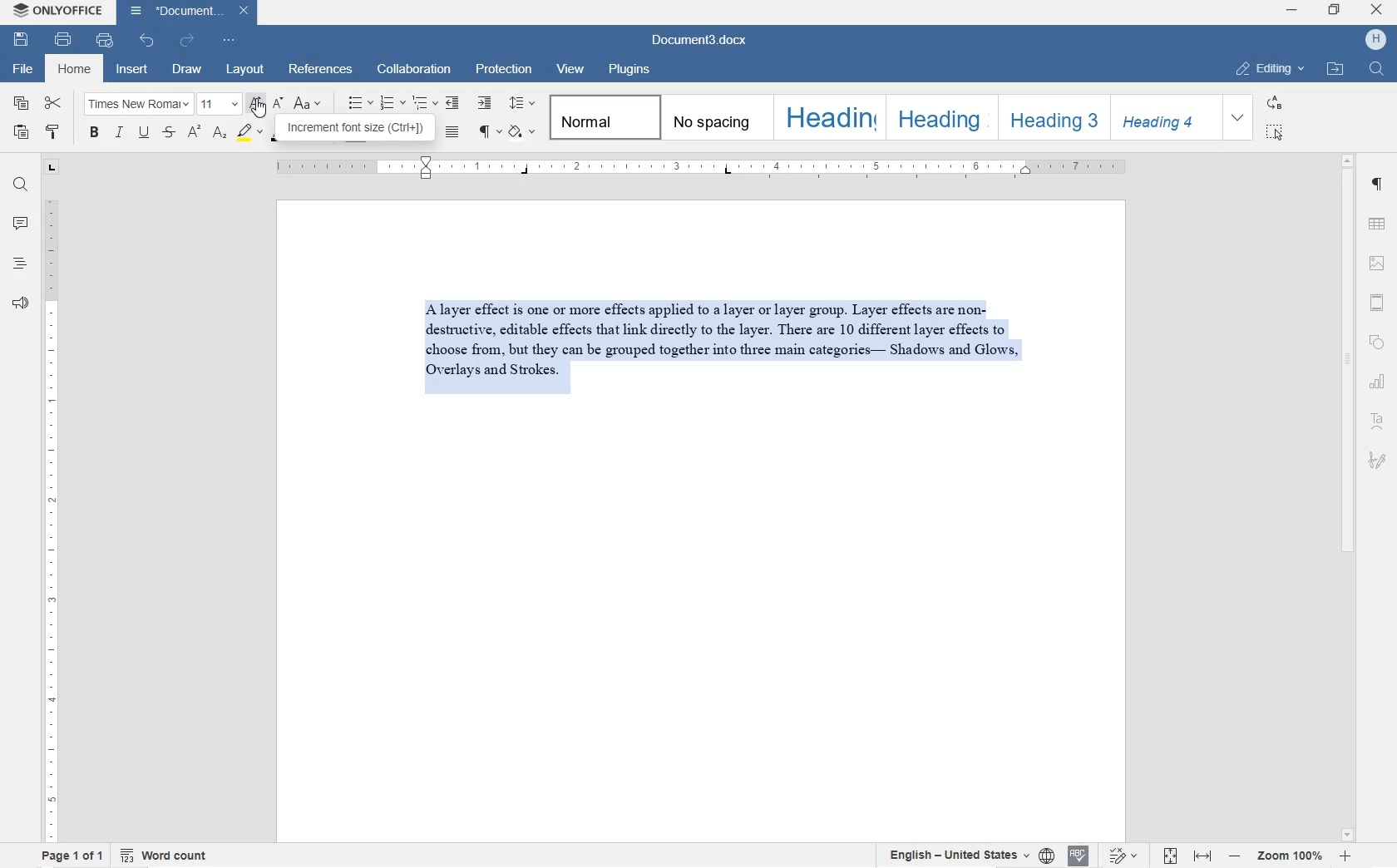  Describe the element at coordinates (1274, 103) in the screenshot. I see `REPLACE` at that location.